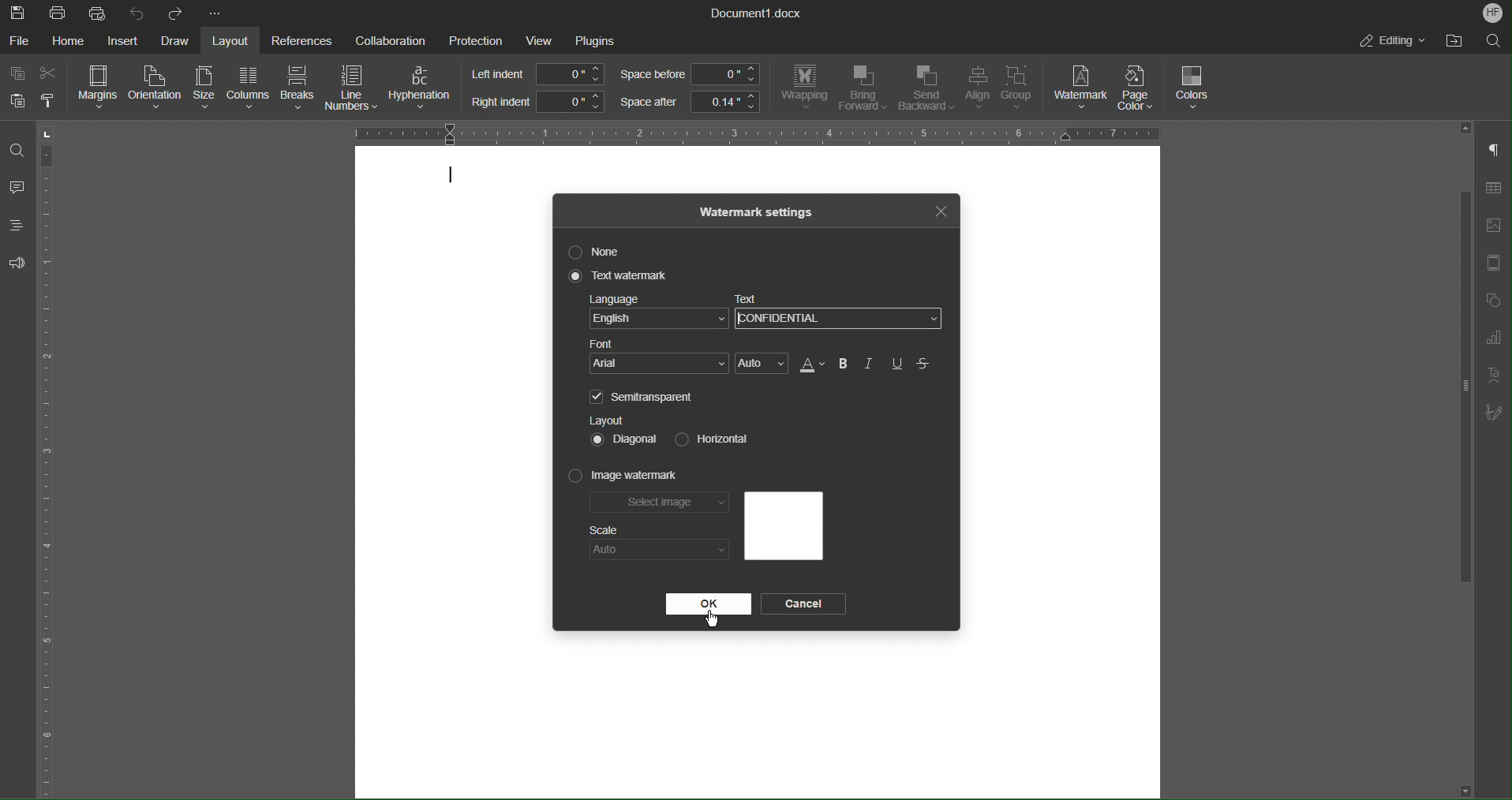 This screenshot has width=1512, height=800. Describe the element at coordinates (863, 88) in the screenshot. I see `Bring Forward` at that location.